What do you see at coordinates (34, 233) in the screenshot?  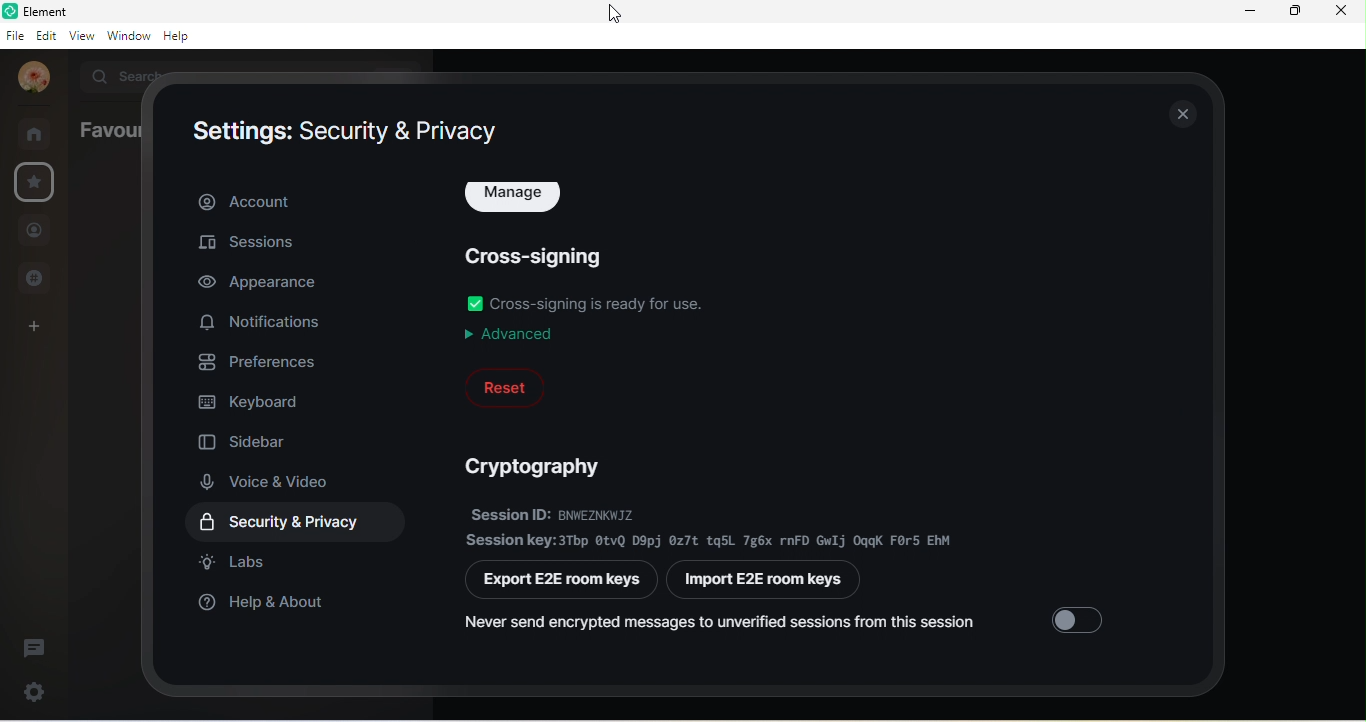 I see `people` at bounding box center [34, 233].